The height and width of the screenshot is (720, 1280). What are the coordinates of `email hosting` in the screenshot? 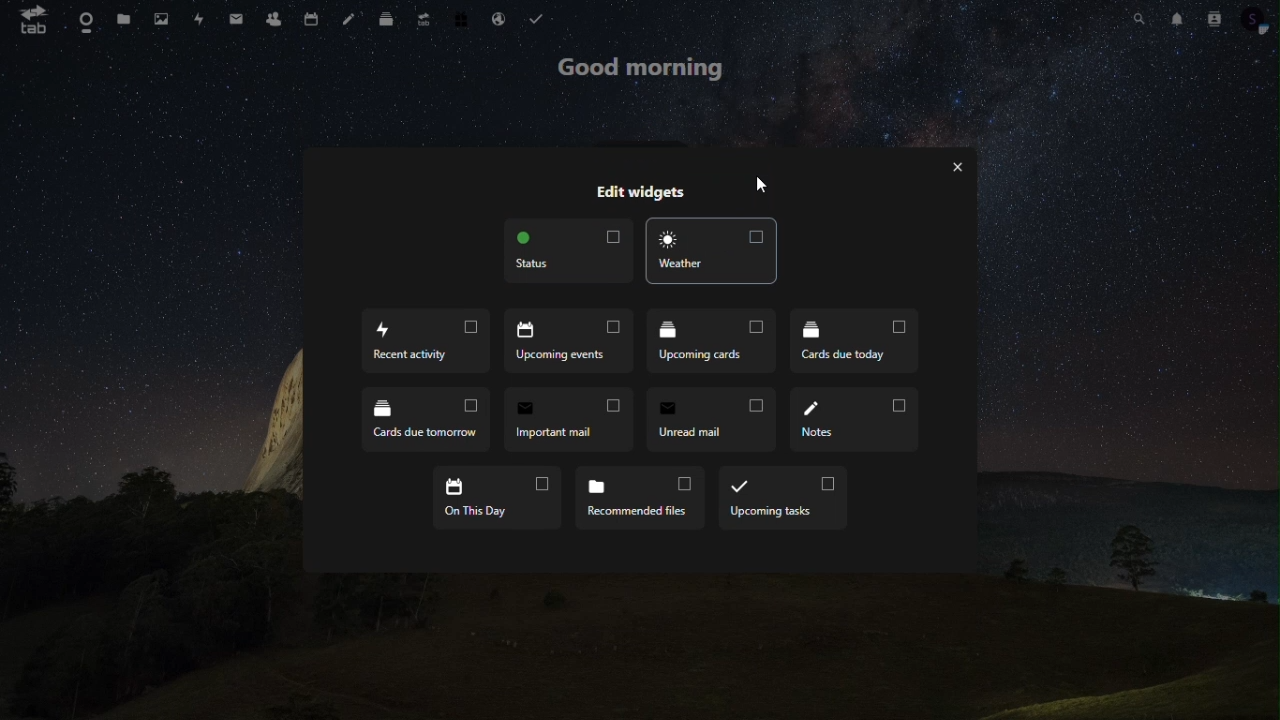 It's located at (501, 18).